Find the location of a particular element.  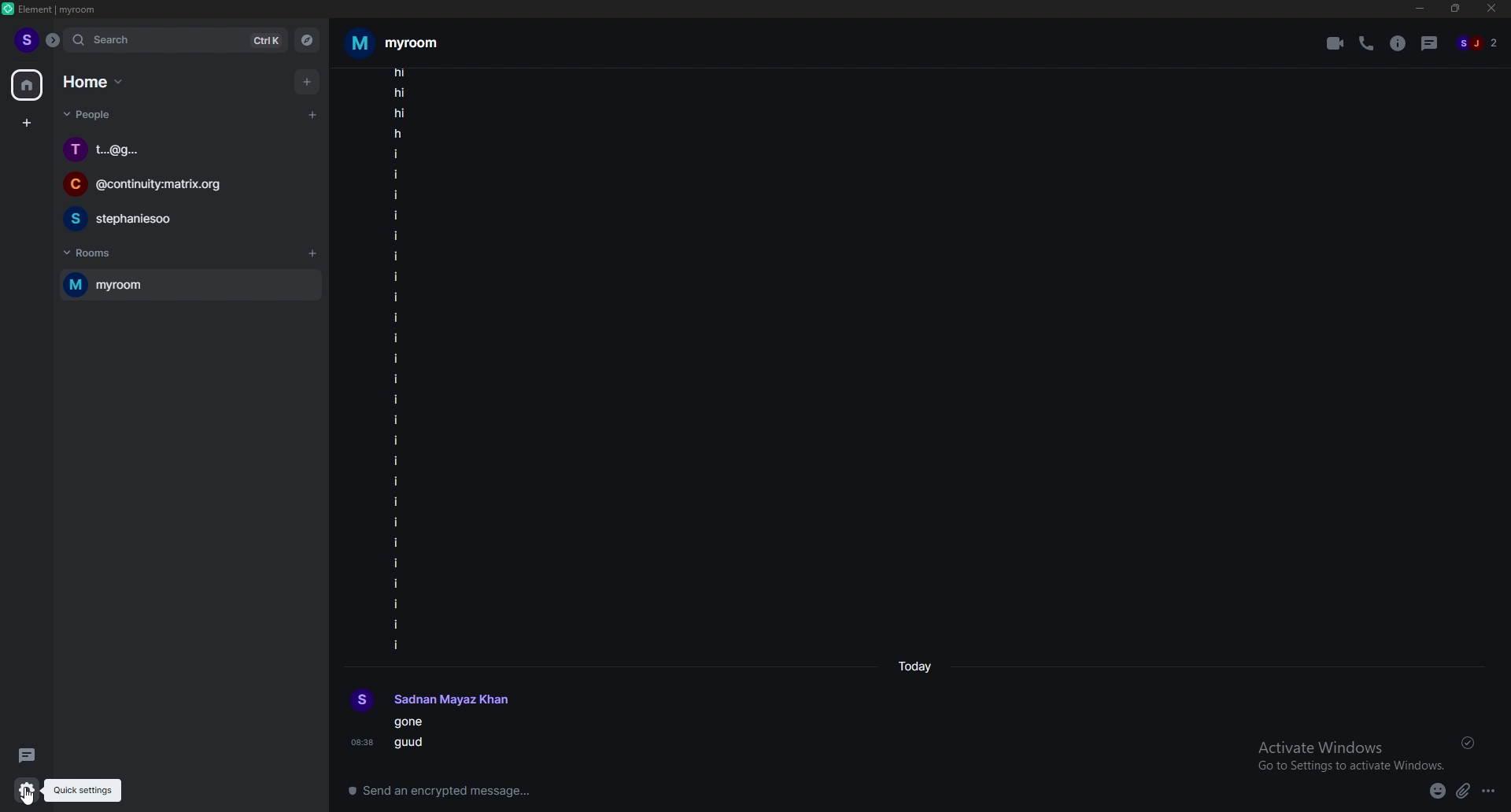

emoji is located at coordinates (1438, 792).